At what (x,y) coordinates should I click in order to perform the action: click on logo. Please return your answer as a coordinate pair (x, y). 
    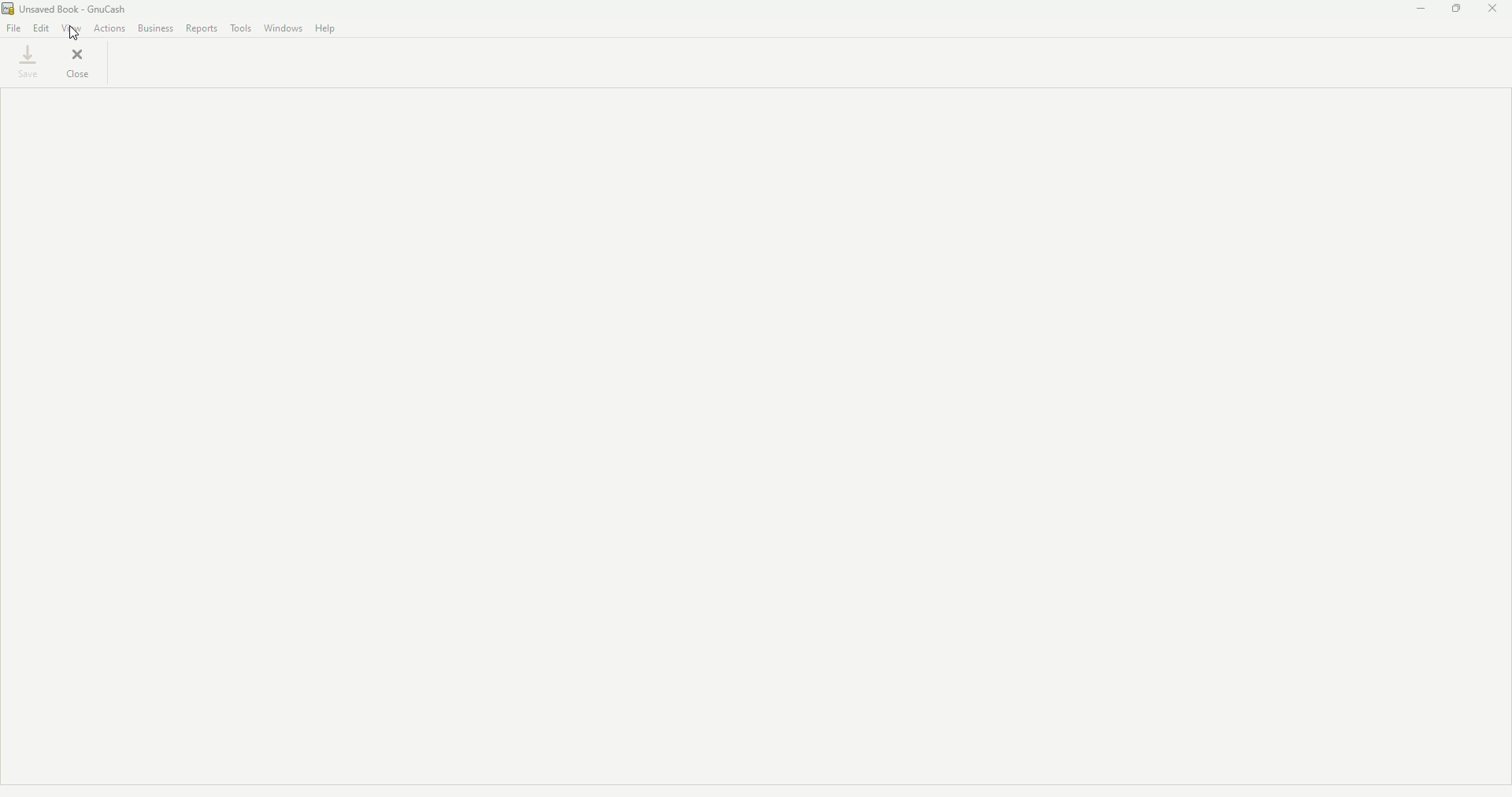
    Looking at the image, I should click on (9, 9).